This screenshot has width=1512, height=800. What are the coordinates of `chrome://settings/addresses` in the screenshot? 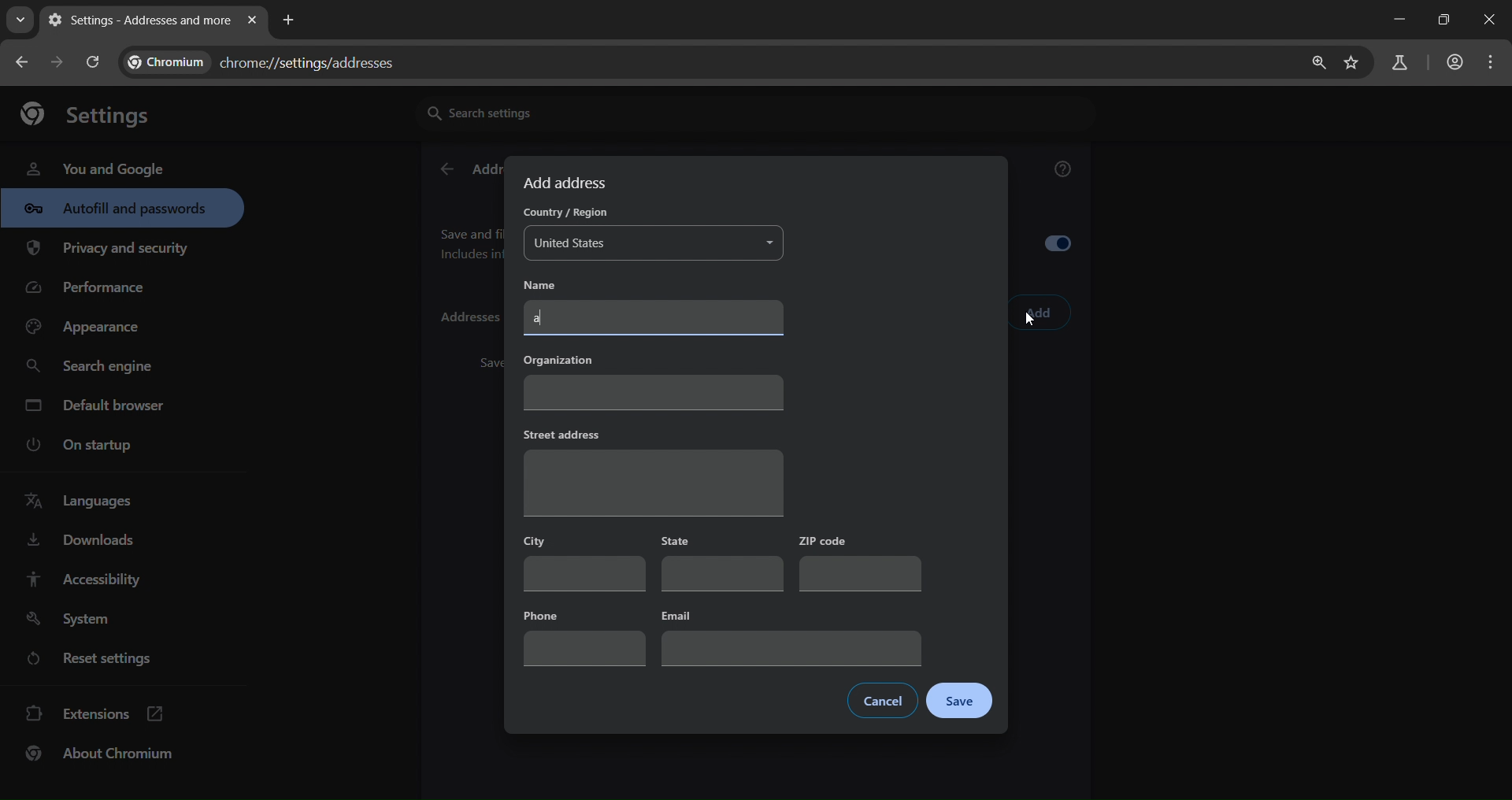 It's located at (272, 59).